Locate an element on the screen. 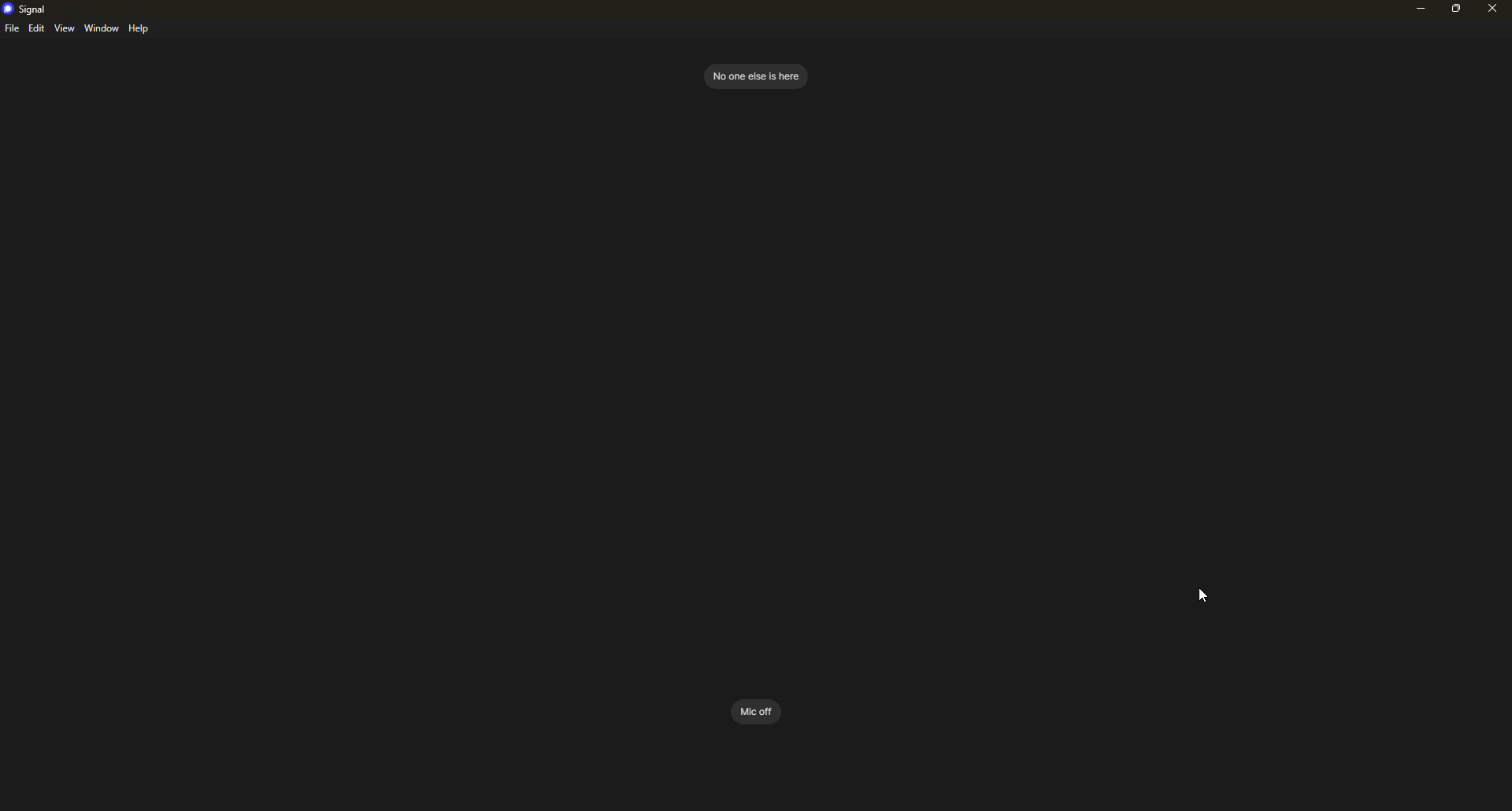 This screenshot has width=1512, height=811. no one else is here is located at coordinates (754, 75).